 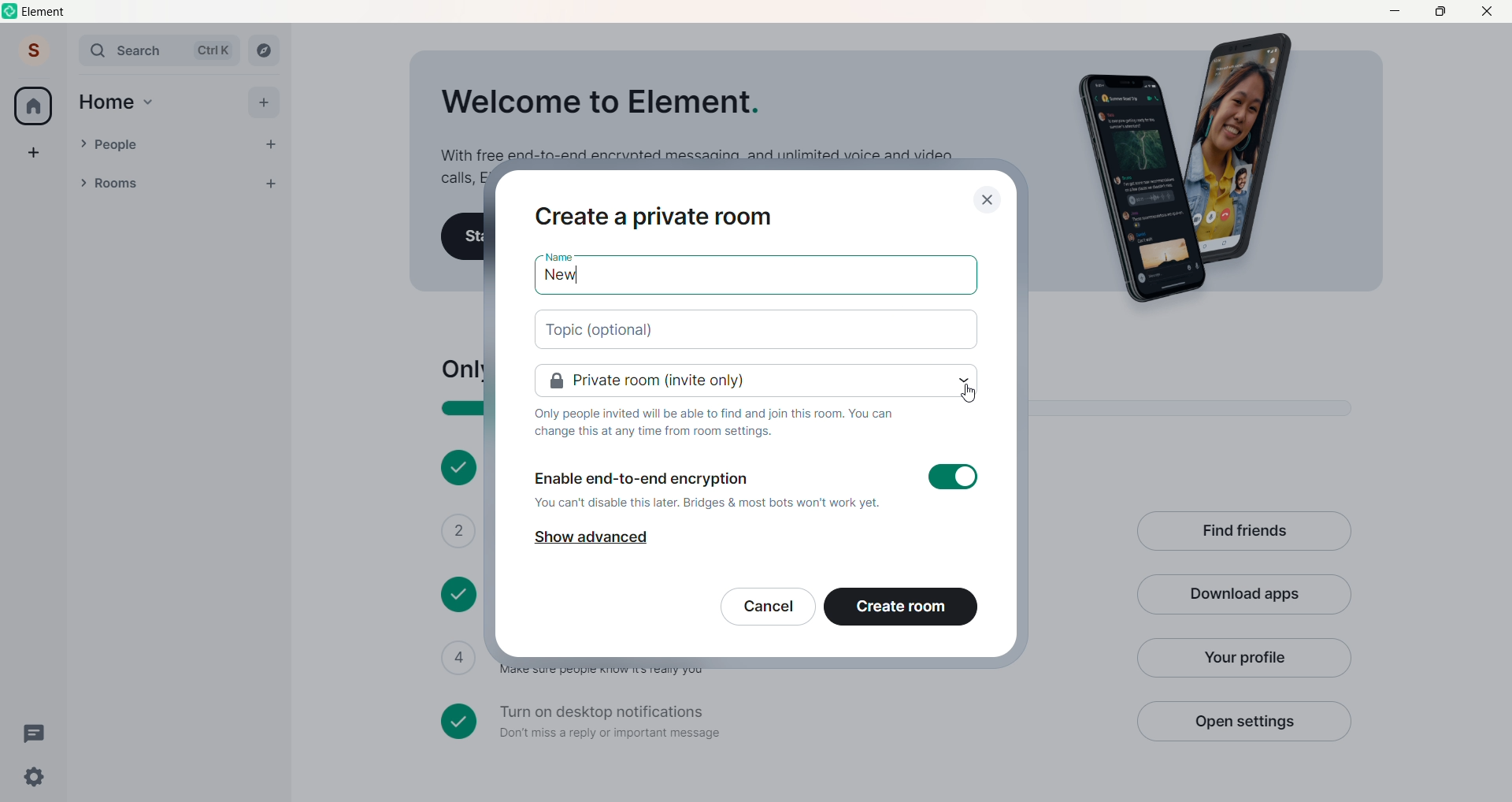 What do you see at coordinates (265, 50) in the screenshot?
I see `Explore Rooms` at bounding box center [265, 50].